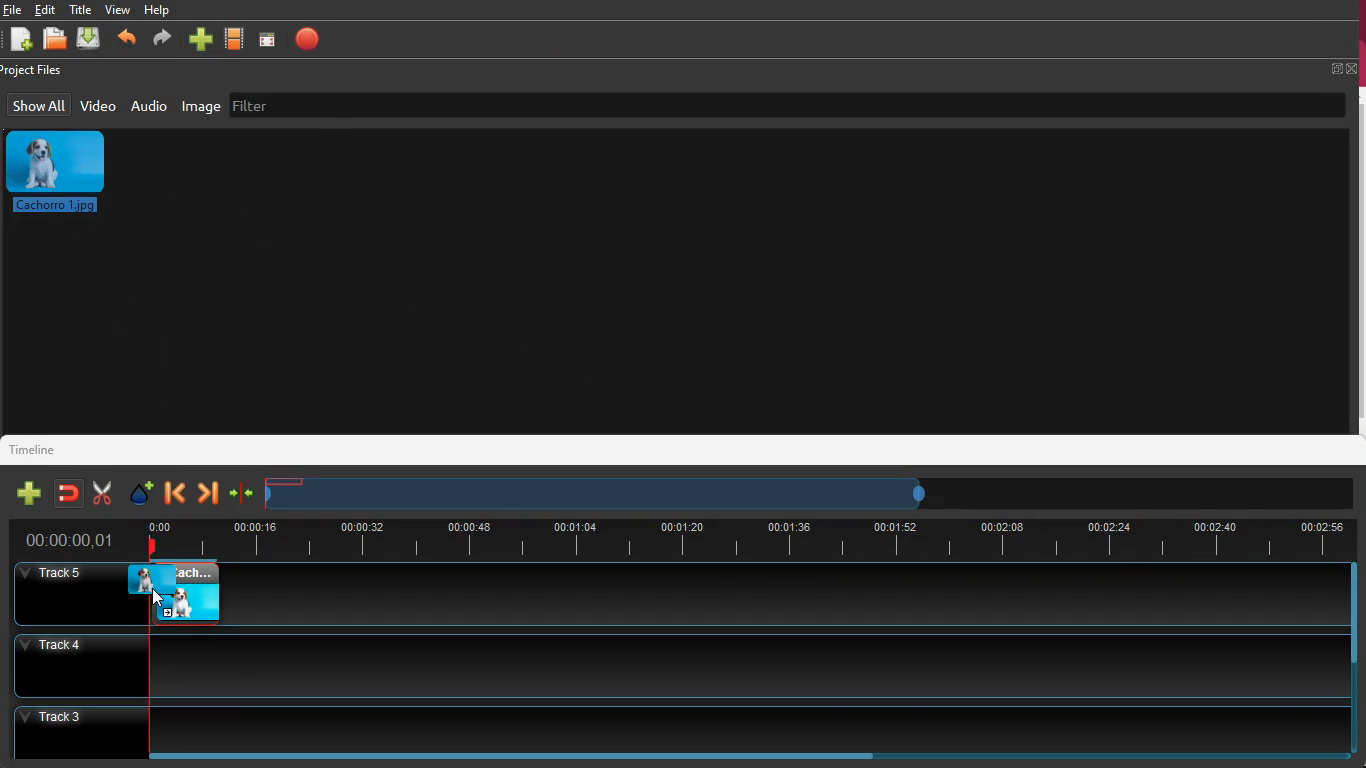  Describe the element at coordinates (70, 493) in the screenshot. I see `join` at that location.